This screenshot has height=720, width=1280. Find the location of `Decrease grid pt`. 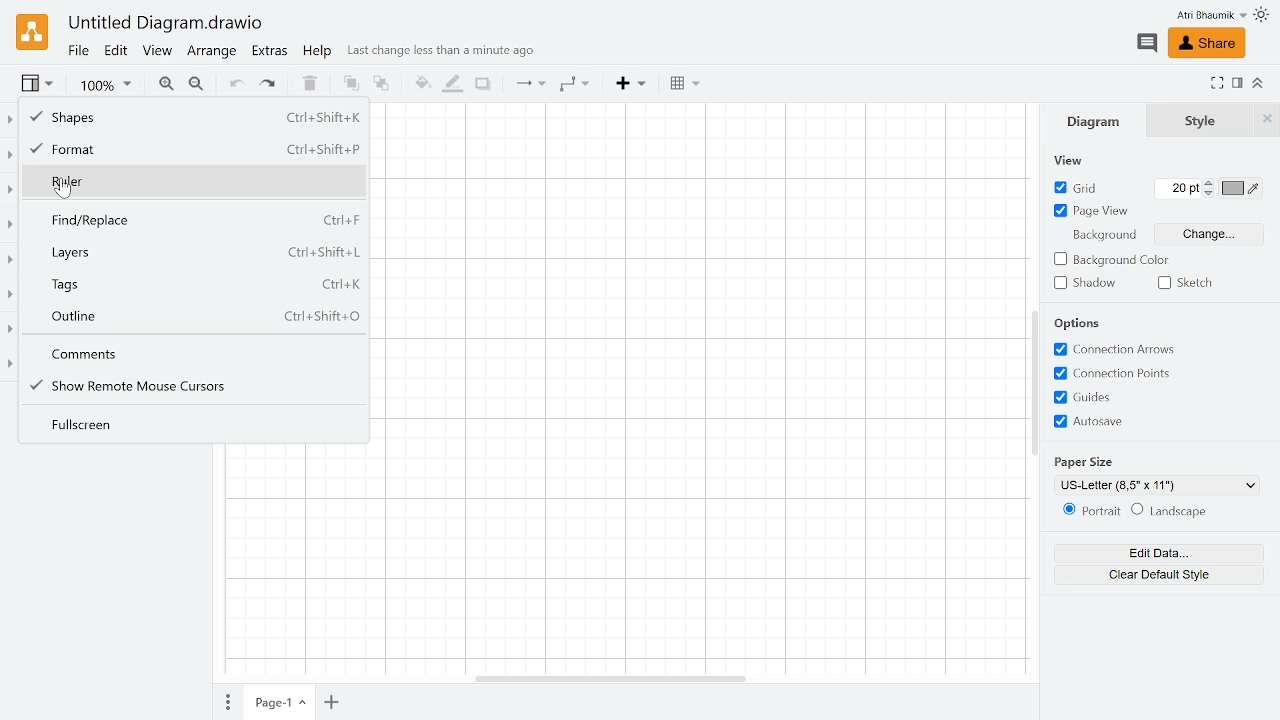

Decrease grid pt is located at coordinates (1210, 195).